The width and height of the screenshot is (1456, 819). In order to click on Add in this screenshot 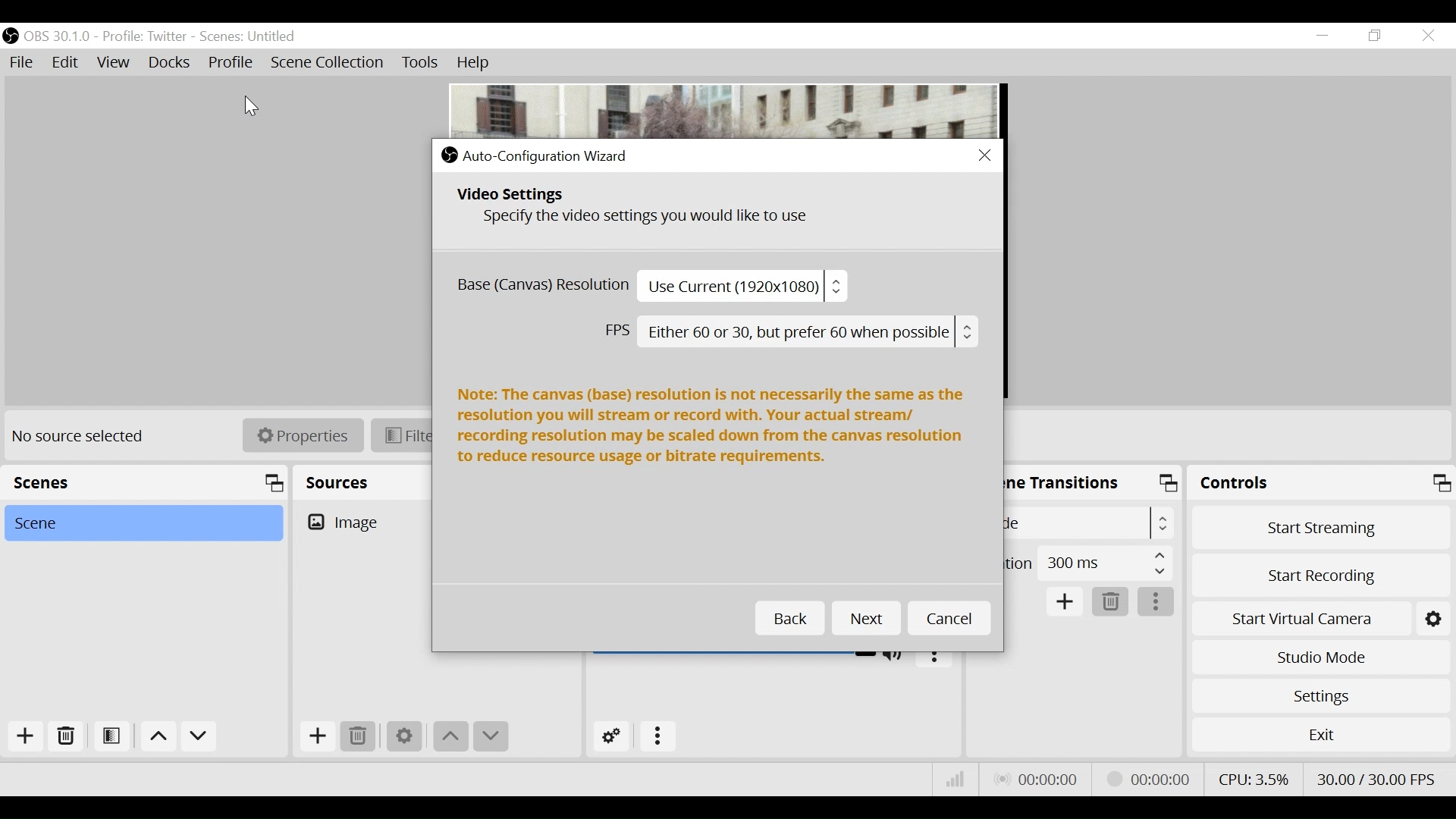, I will do `click(21, 738)`.